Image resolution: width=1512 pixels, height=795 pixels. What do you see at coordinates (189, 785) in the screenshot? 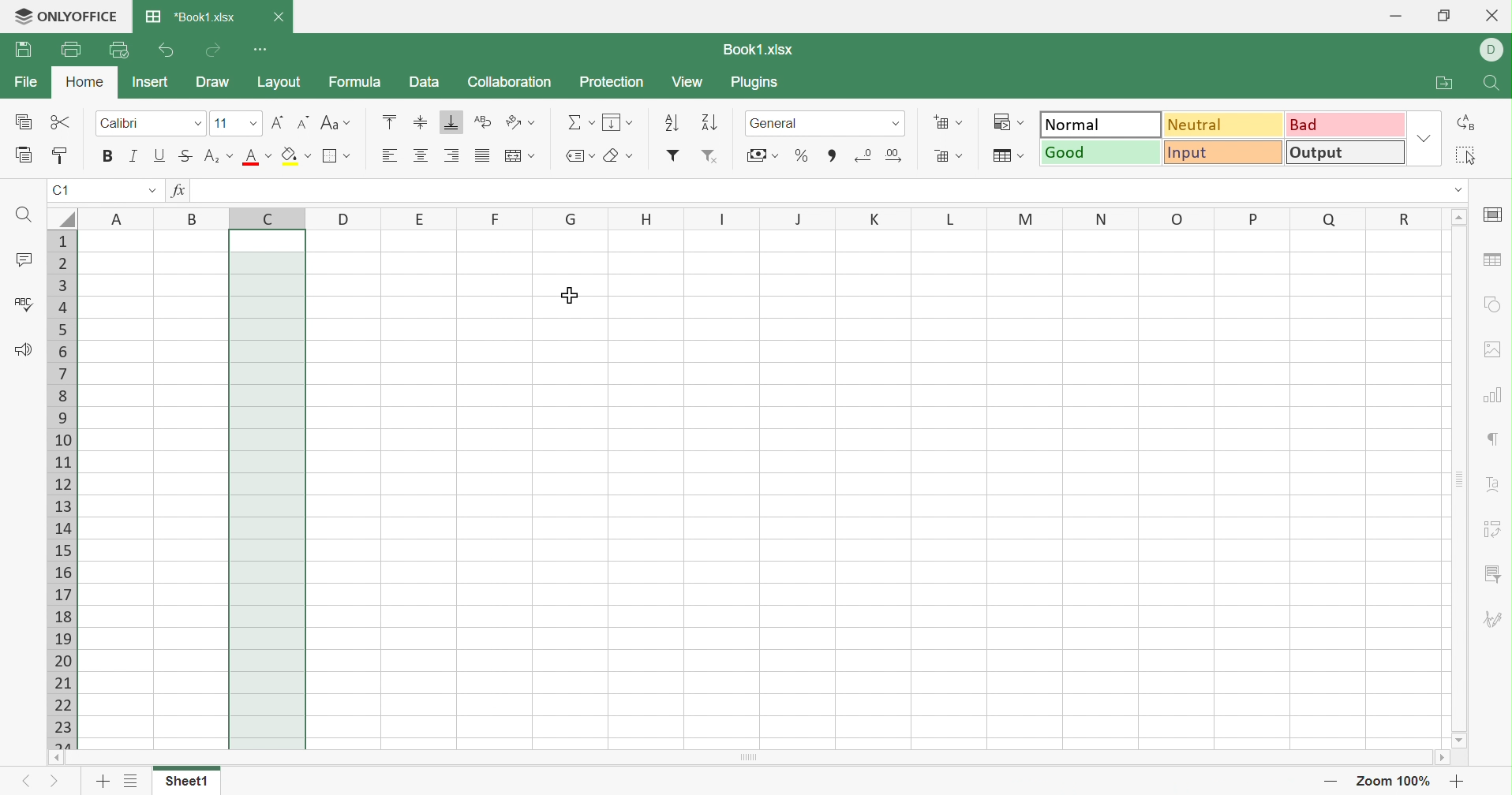
I see `Sheet1` at bounding box center [189, 785].